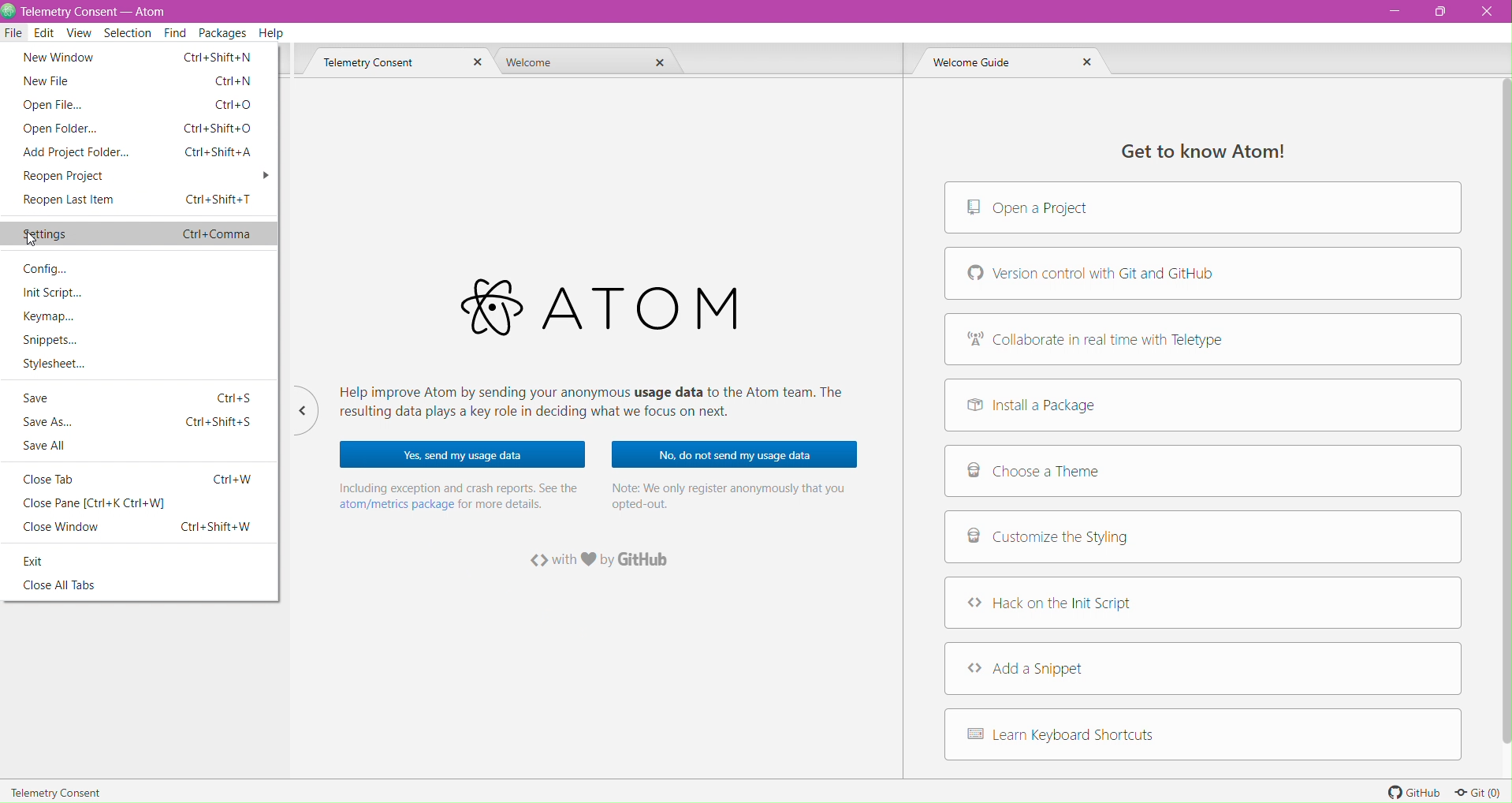 This screenshot has width=1512, height=803. What do you see at coordinates (161, 234) in the screenshot?
I see `Settings` at bounding box center [161, 234].